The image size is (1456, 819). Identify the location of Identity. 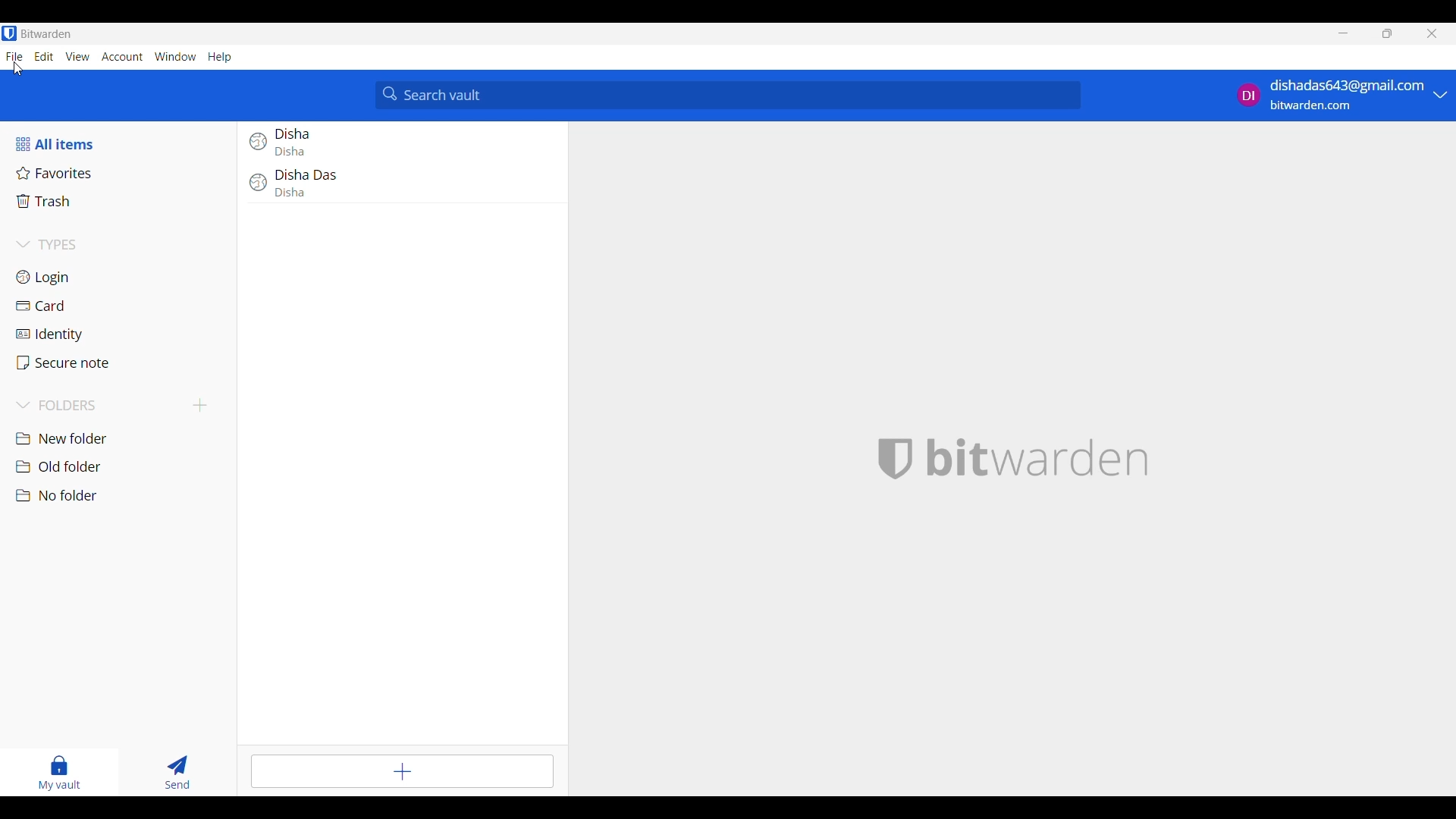
(123, 335).